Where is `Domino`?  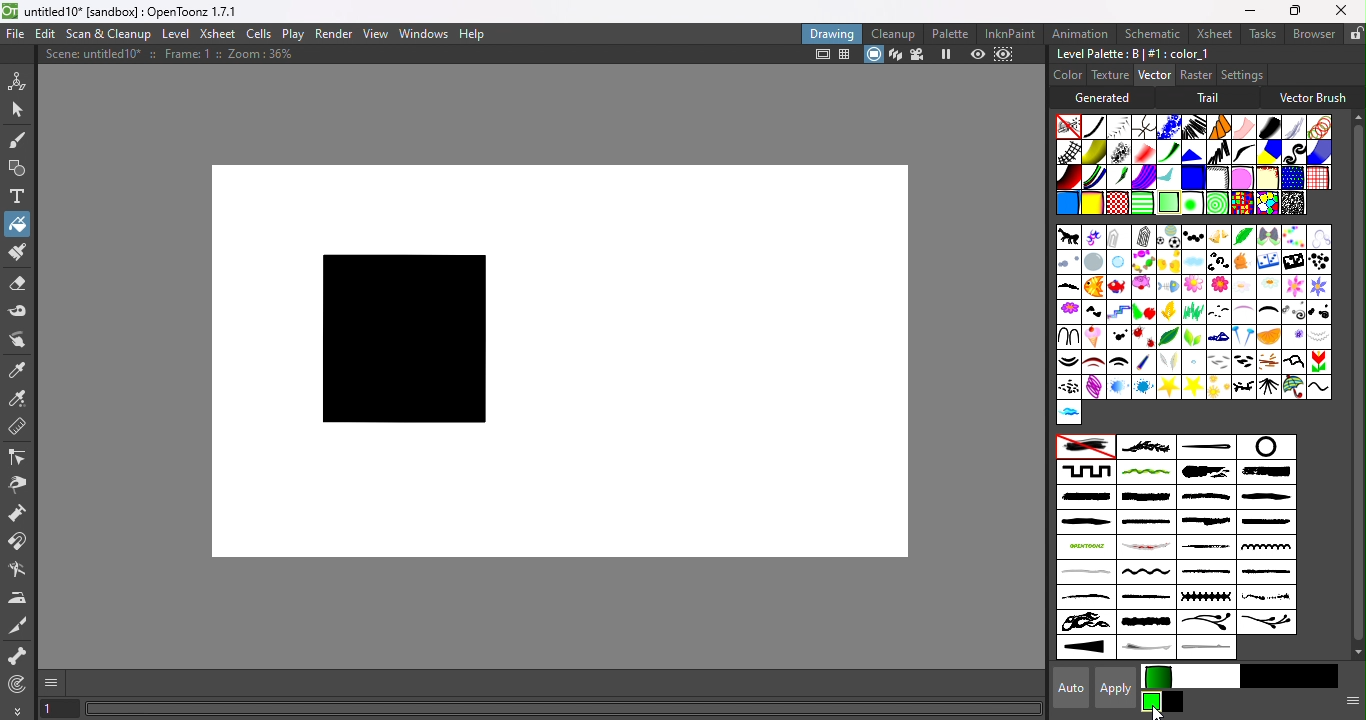 Domino is located at coordinates (1292, 263).